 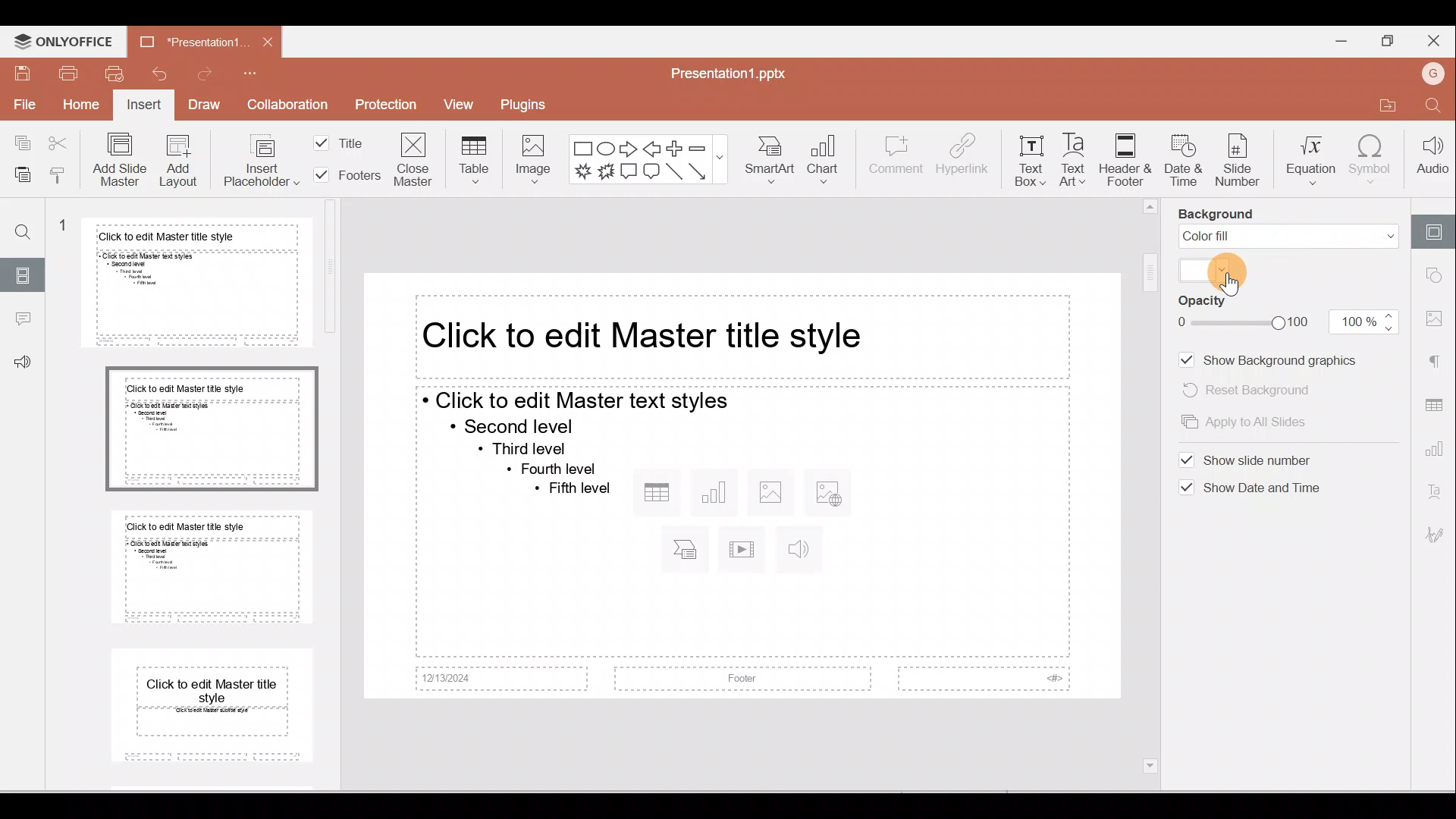 I want to click on Plugins, so click(x=537, y=105).